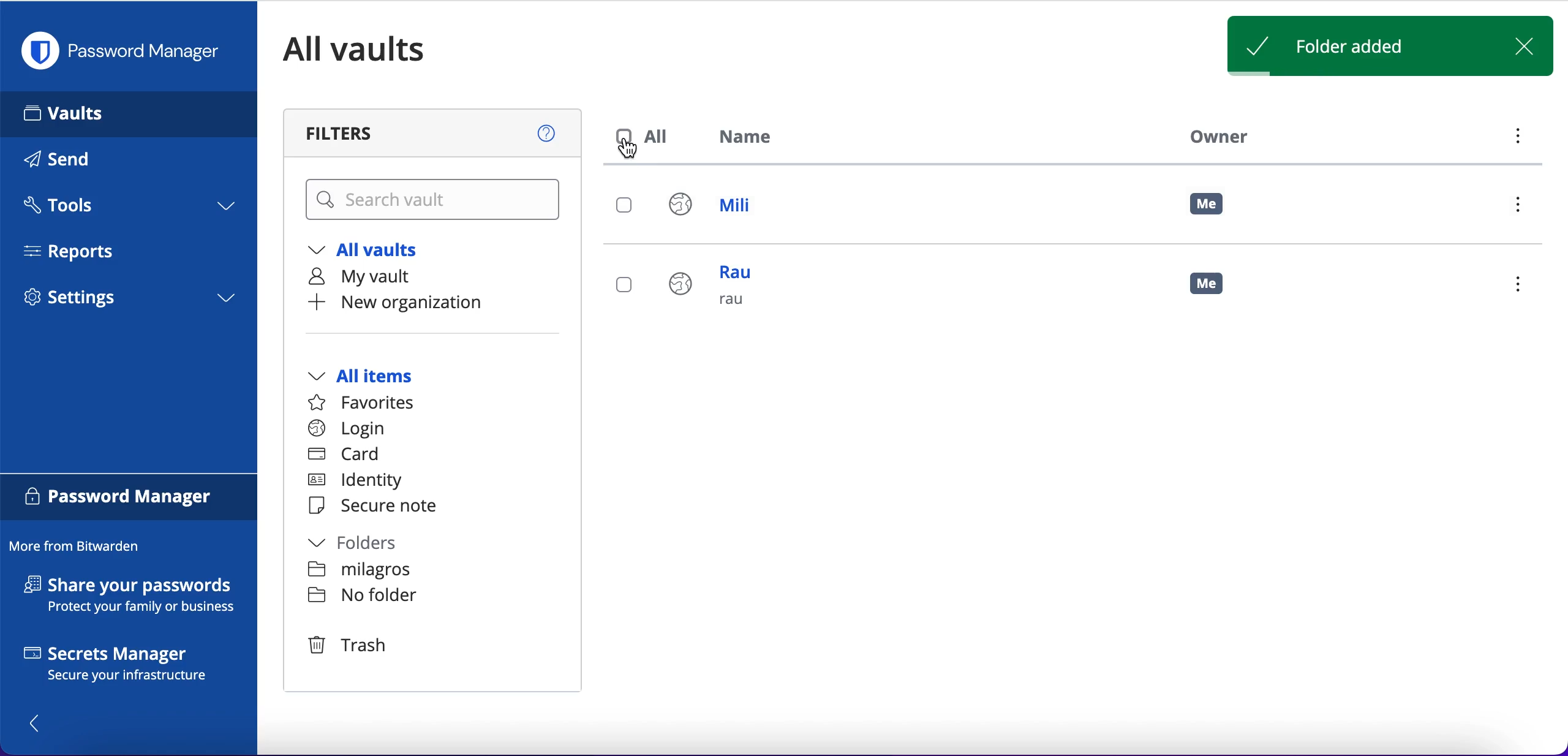 This screenshot has width=1568, height=756. I want to click on rau rau, so click(717, 293).